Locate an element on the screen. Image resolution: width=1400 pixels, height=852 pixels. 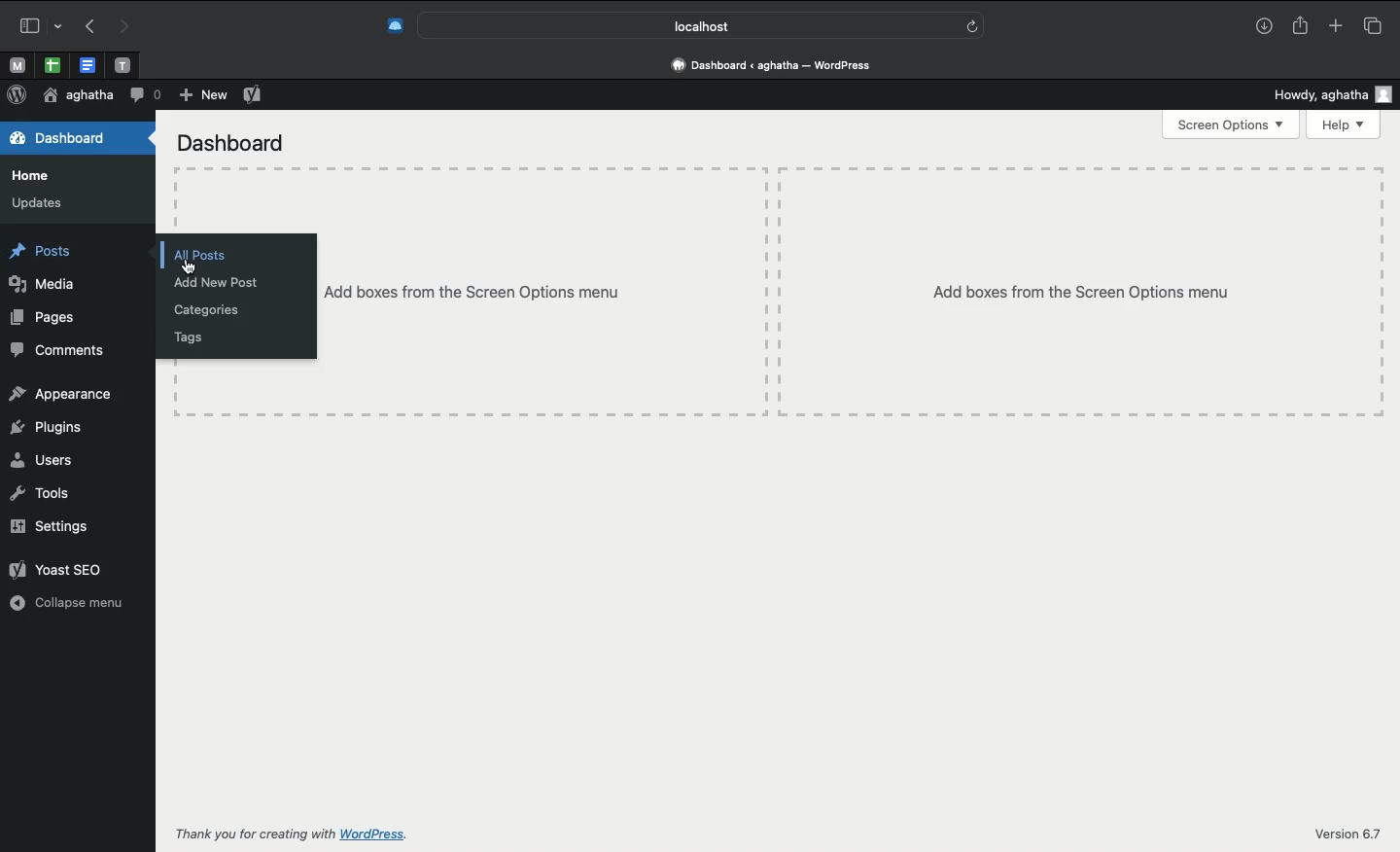
Share is located at coordinates (1303, 26).